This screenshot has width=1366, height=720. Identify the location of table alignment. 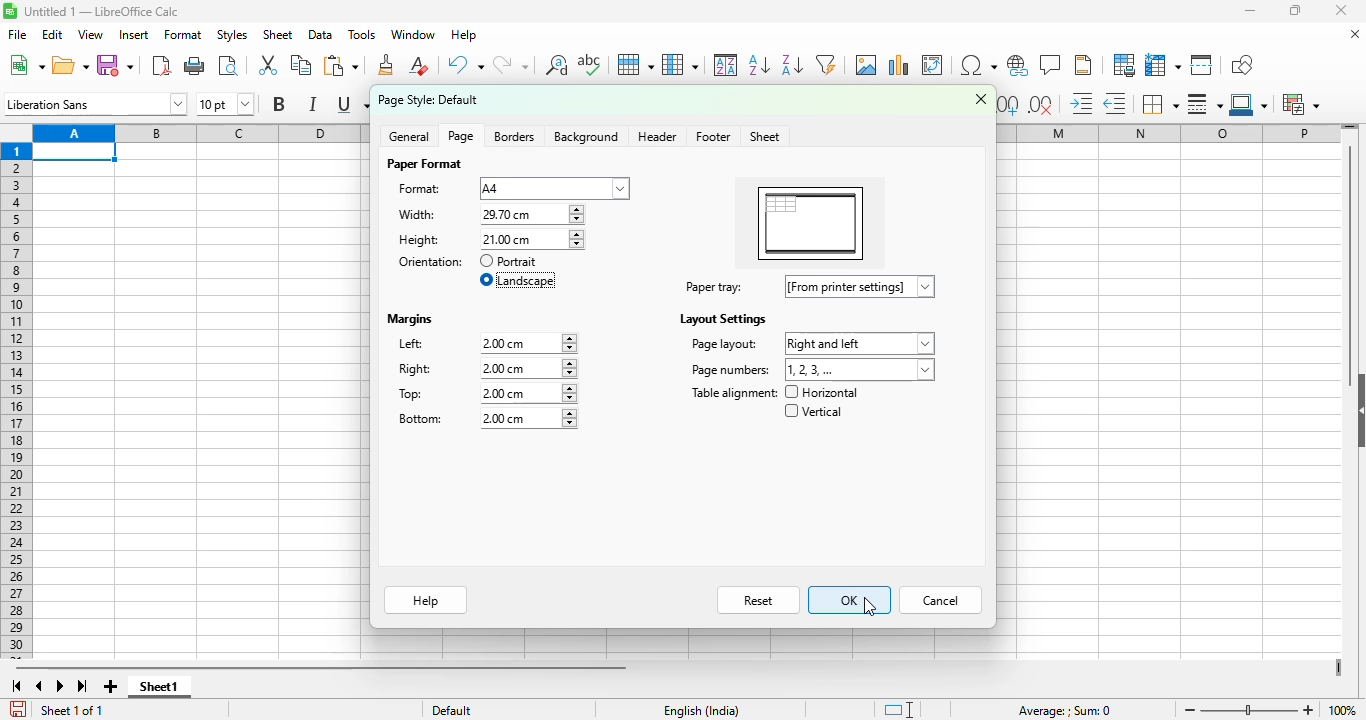
(733, 393).